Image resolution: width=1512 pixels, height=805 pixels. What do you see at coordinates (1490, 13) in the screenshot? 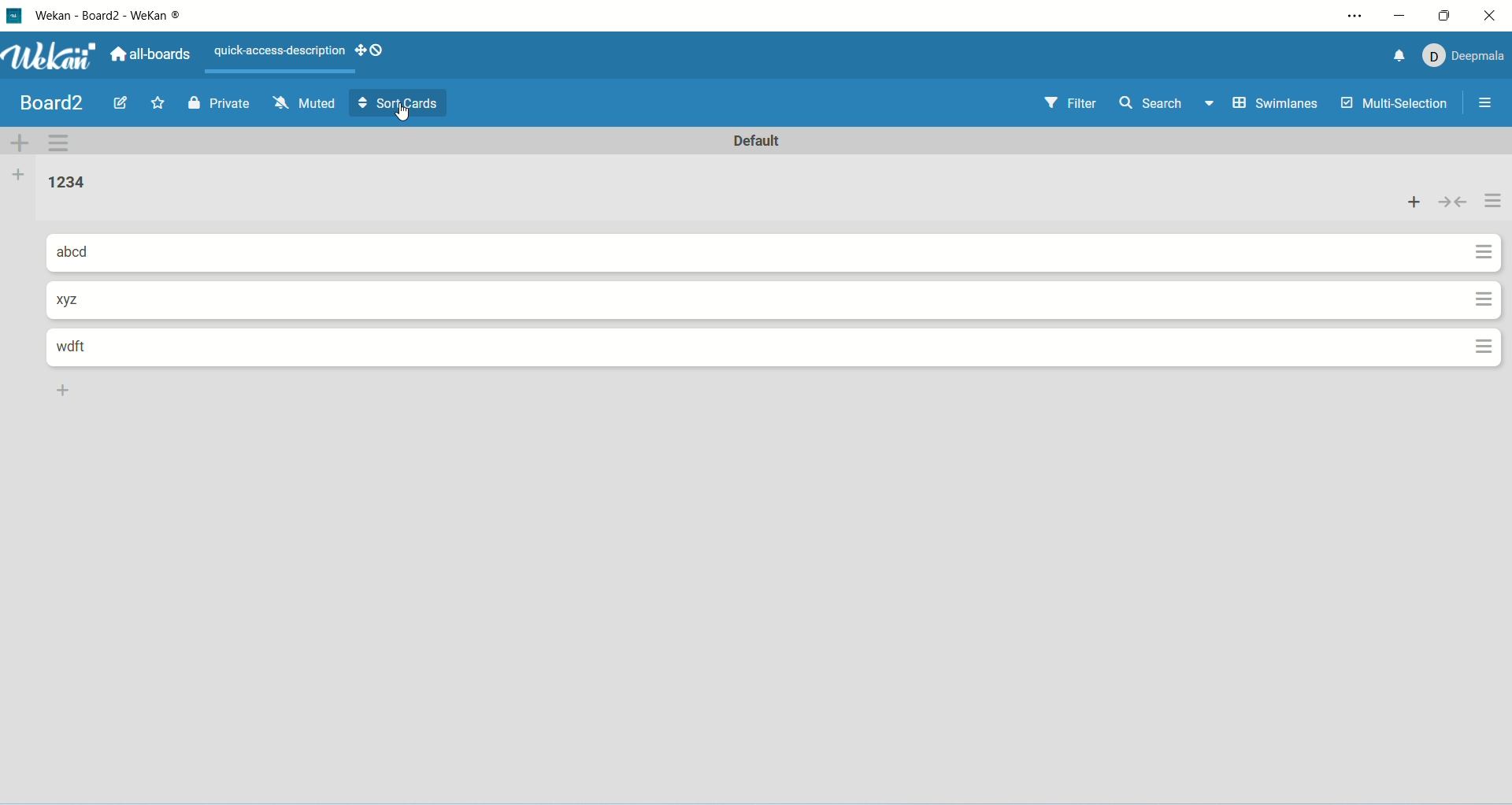
I see `close` at bounding box center [1490, 13].